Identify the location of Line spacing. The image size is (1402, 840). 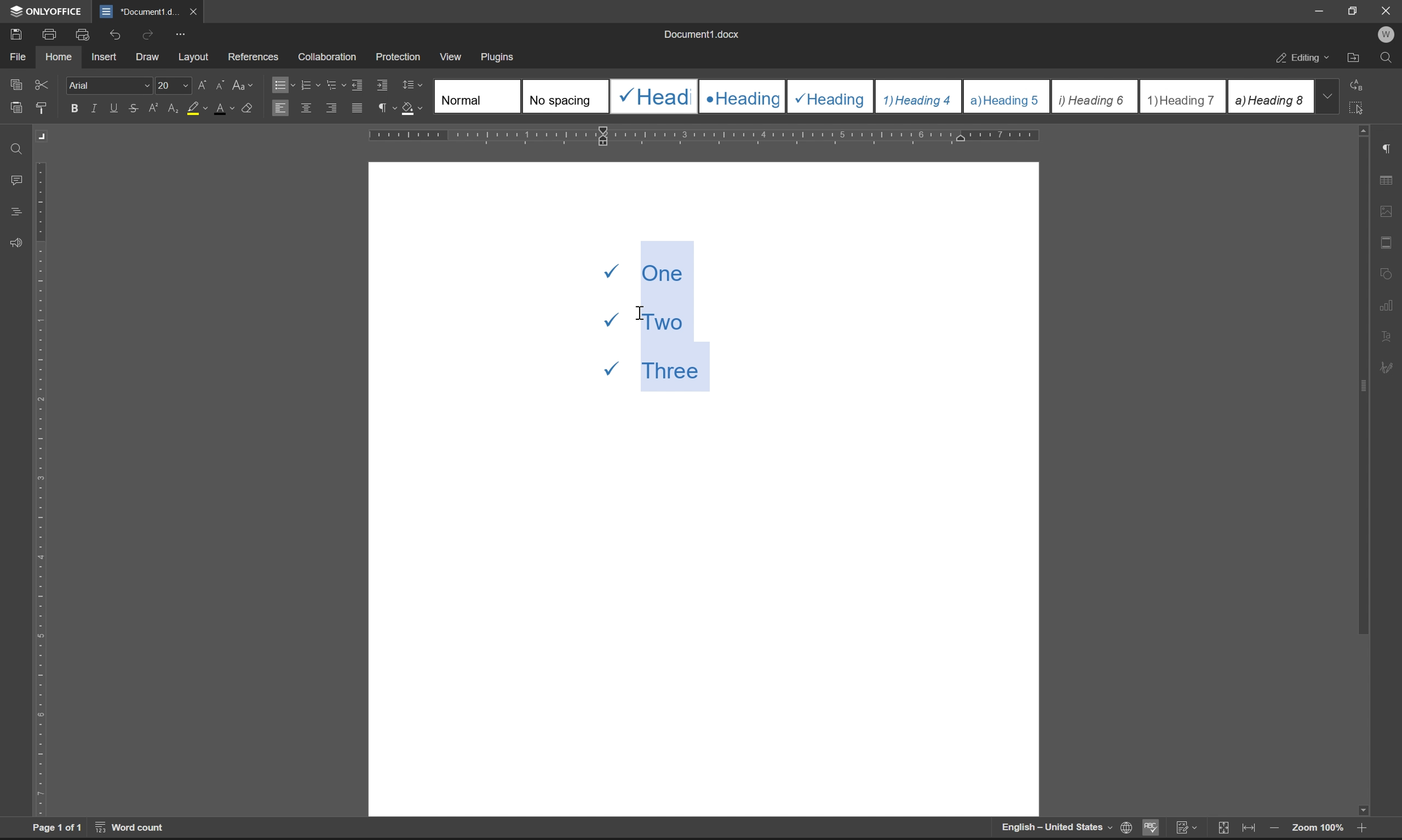
(417, 85).